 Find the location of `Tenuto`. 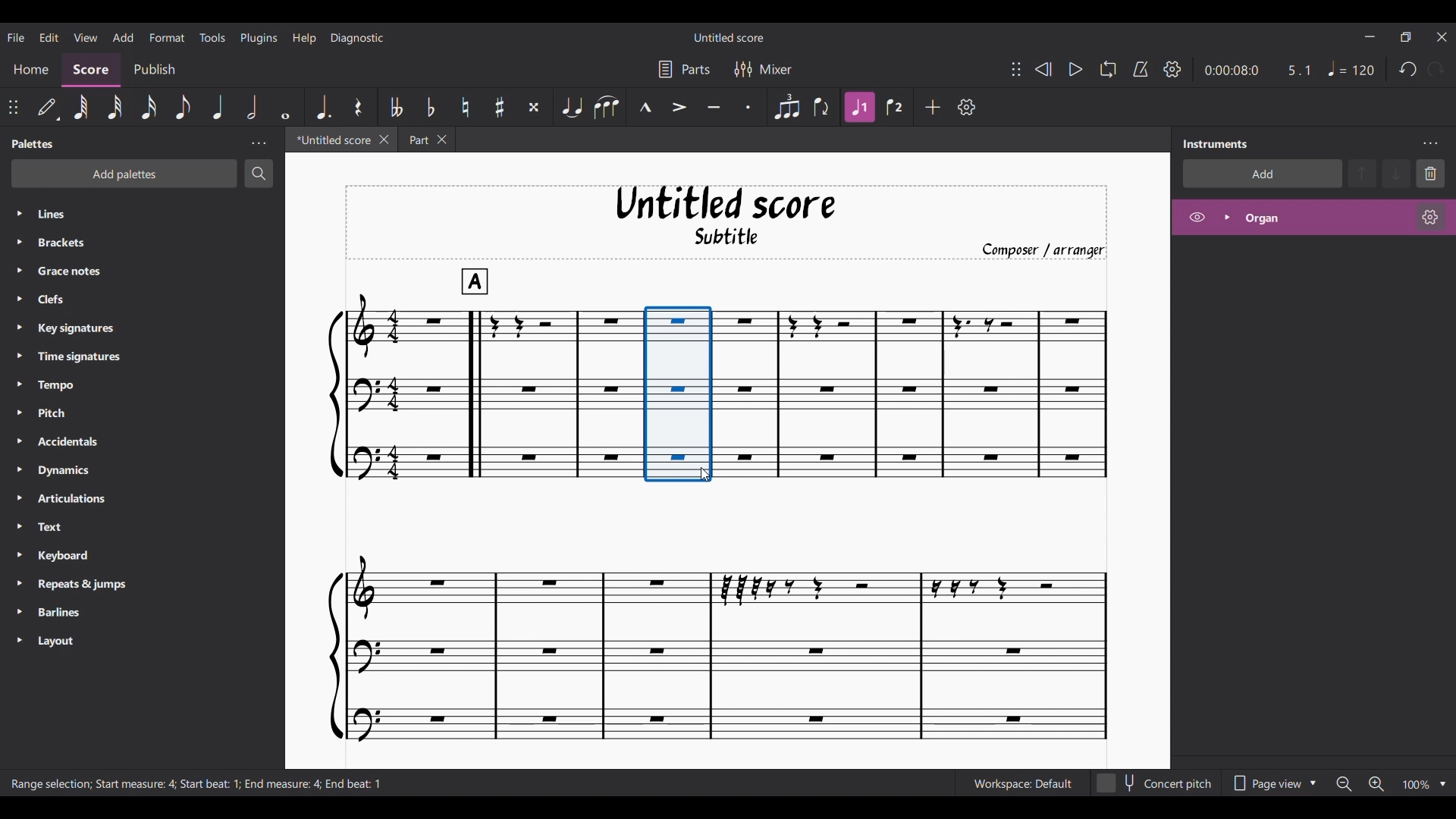

Tenuto is located at coordinates (714, 108).